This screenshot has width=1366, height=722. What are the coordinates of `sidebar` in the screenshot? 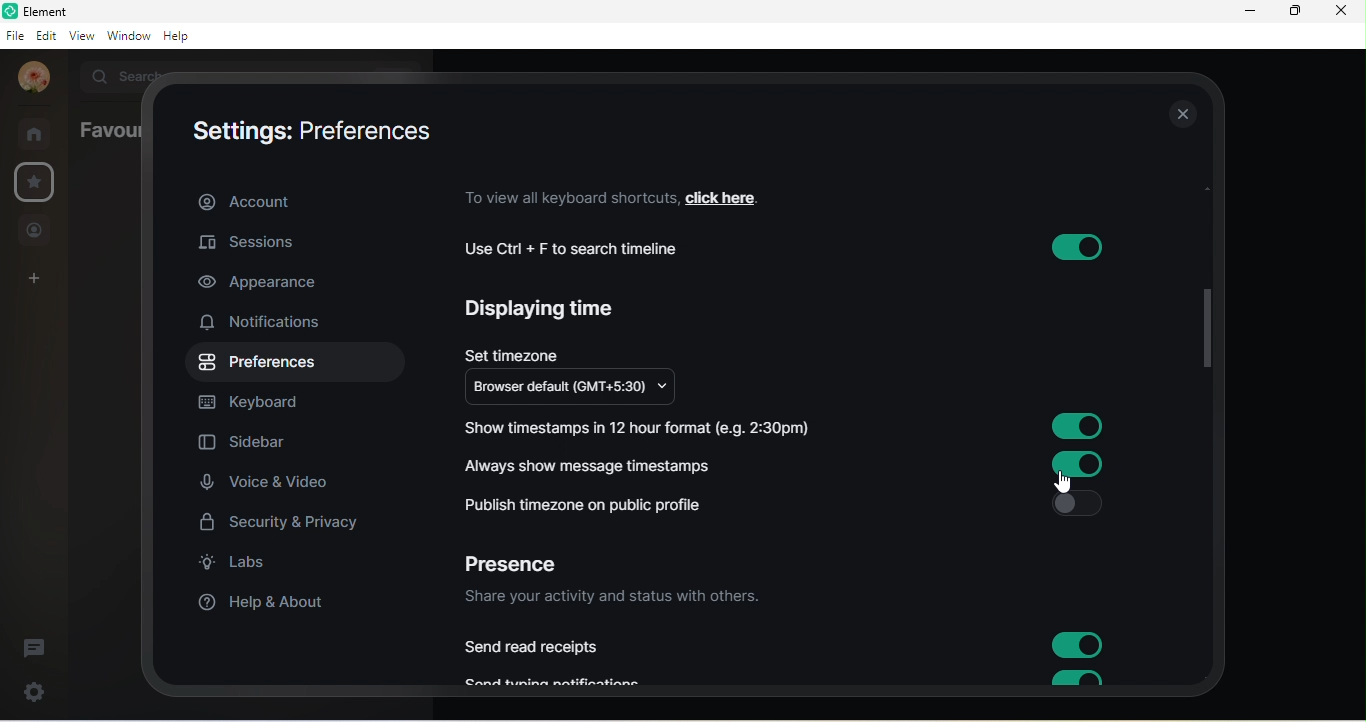 It's located at (245, 445).